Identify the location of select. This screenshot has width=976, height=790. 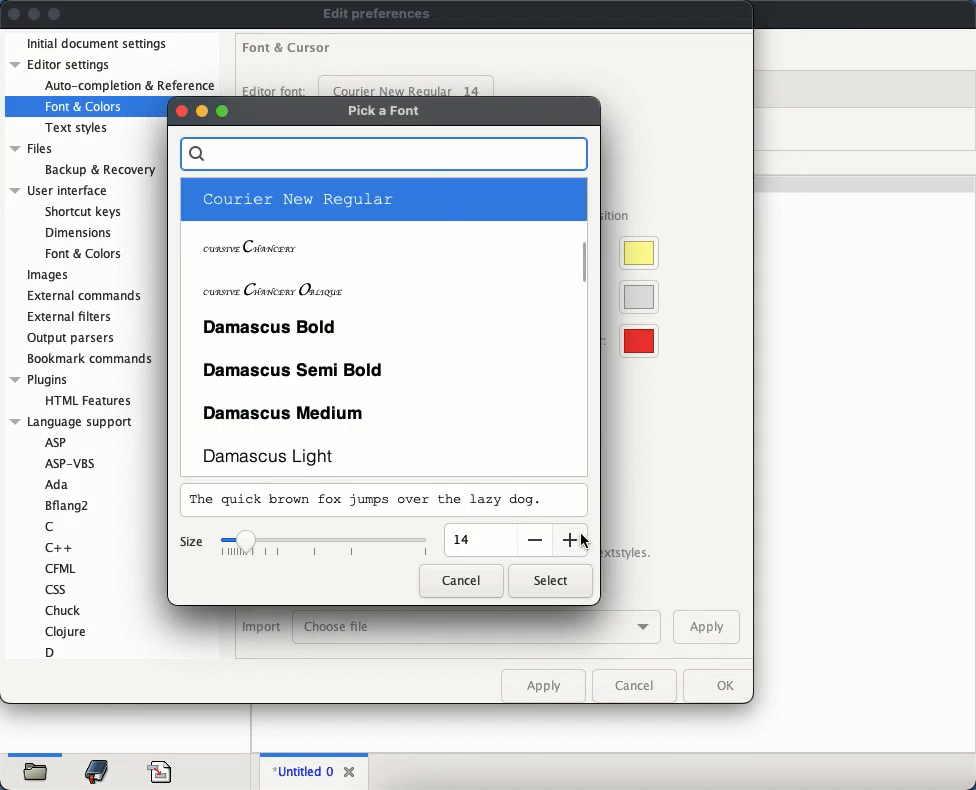
(550, 581).